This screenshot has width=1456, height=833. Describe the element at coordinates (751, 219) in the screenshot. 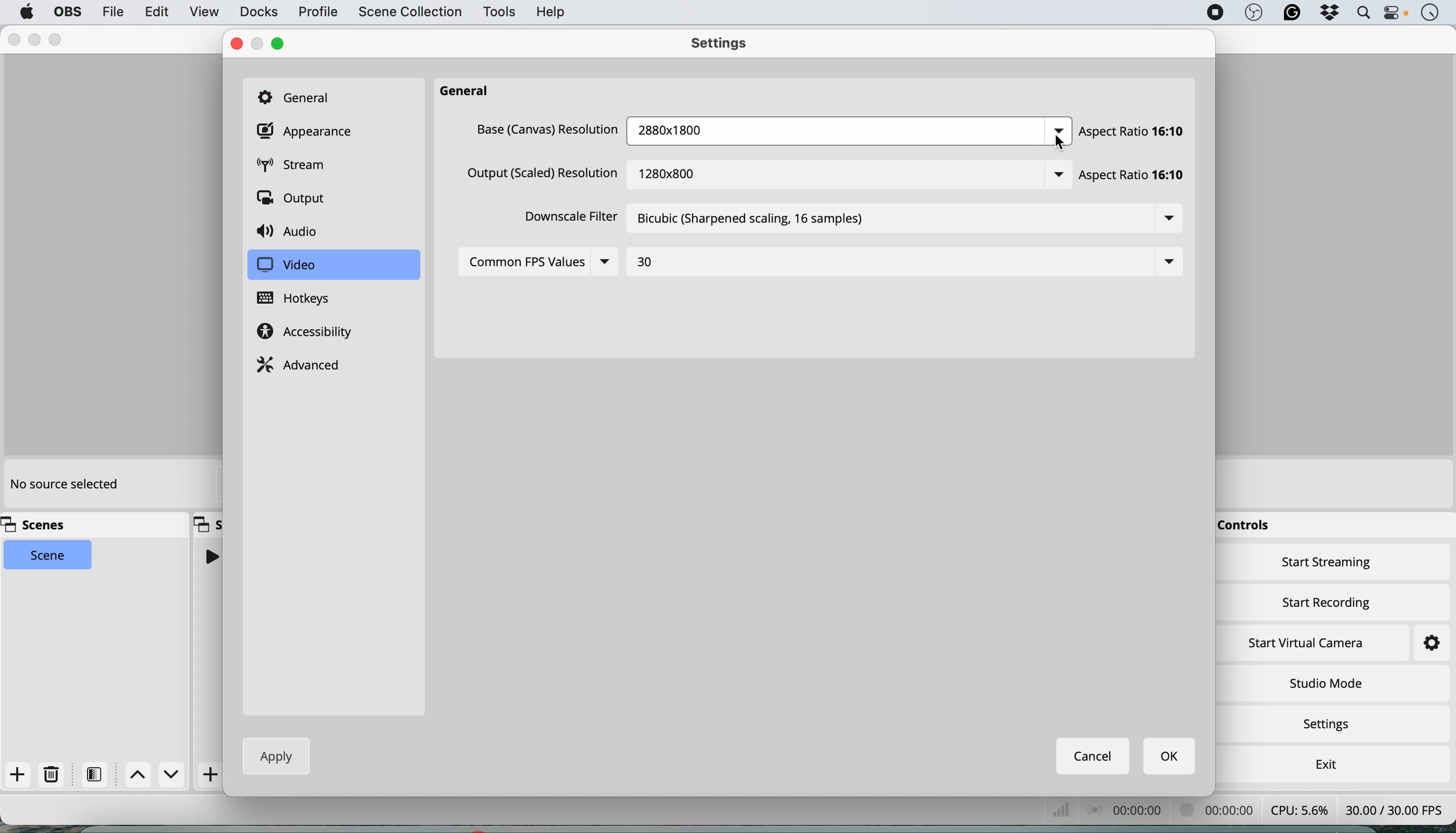

I see `Bicubic (sharpened scalling, 16 samples)` at that location.